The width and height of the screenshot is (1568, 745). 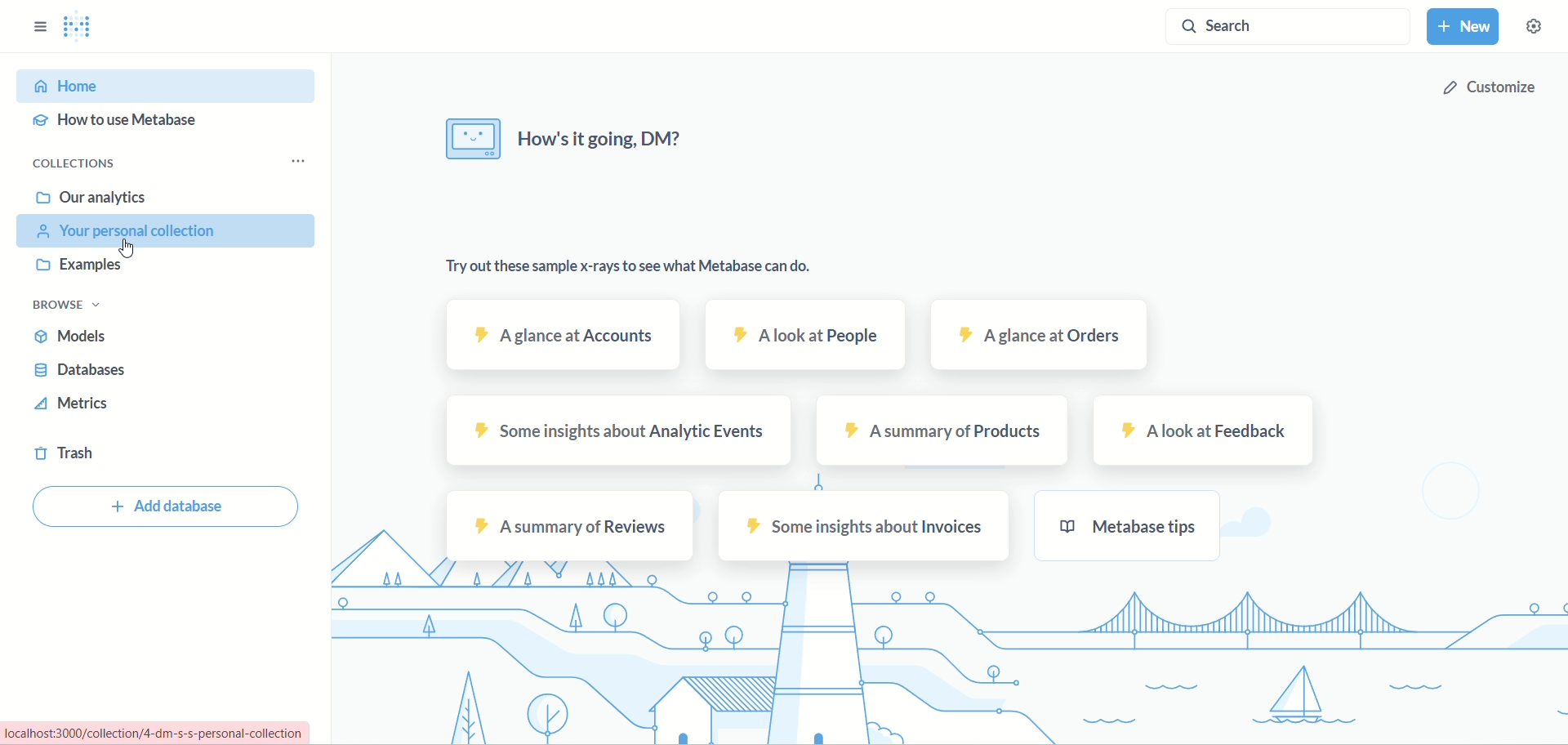 I want to click on METABASE LOGO , so click(x=84, y=27).